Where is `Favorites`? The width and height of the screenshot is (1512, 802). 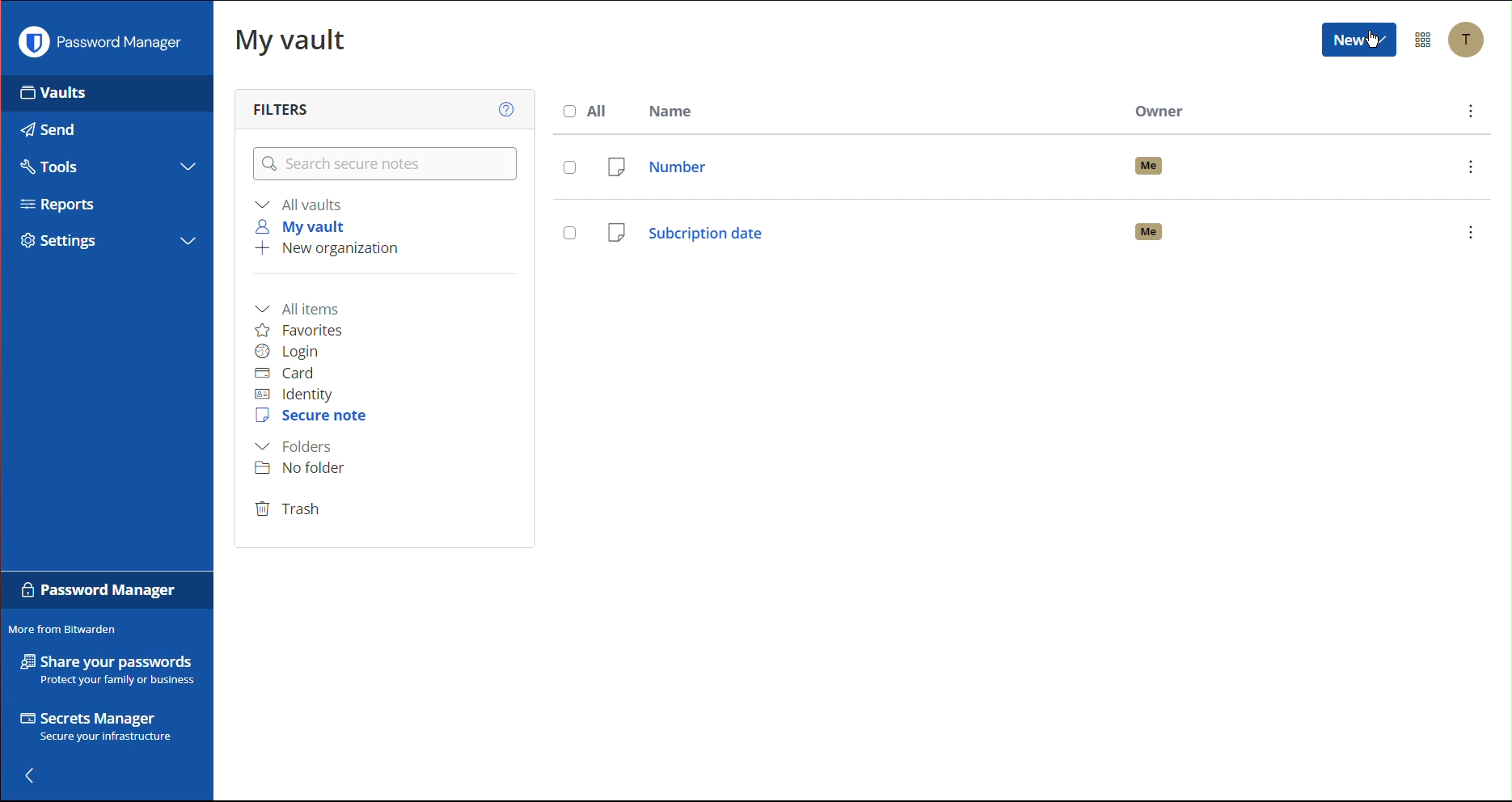
Favorites is located at coordinates (310, 329).